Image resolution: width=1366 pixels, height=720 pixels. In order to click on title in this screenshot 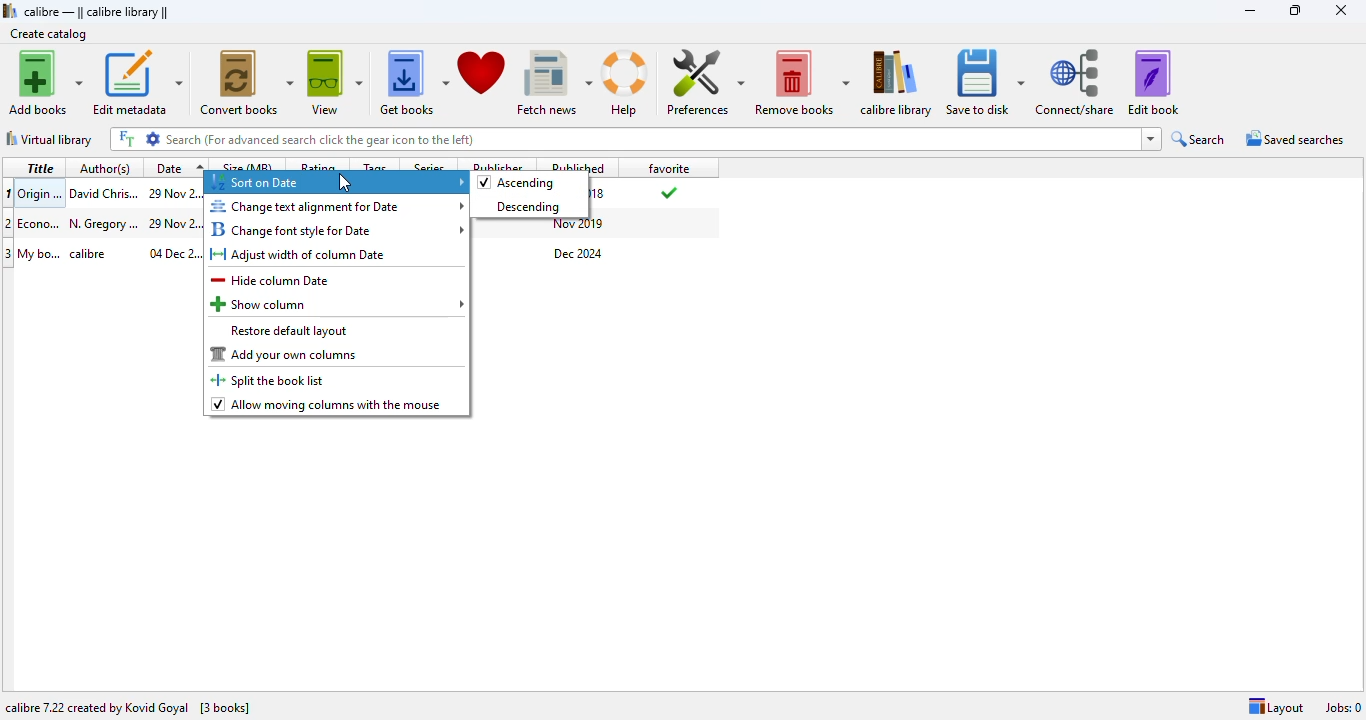, I will do `click(40, 222)`.